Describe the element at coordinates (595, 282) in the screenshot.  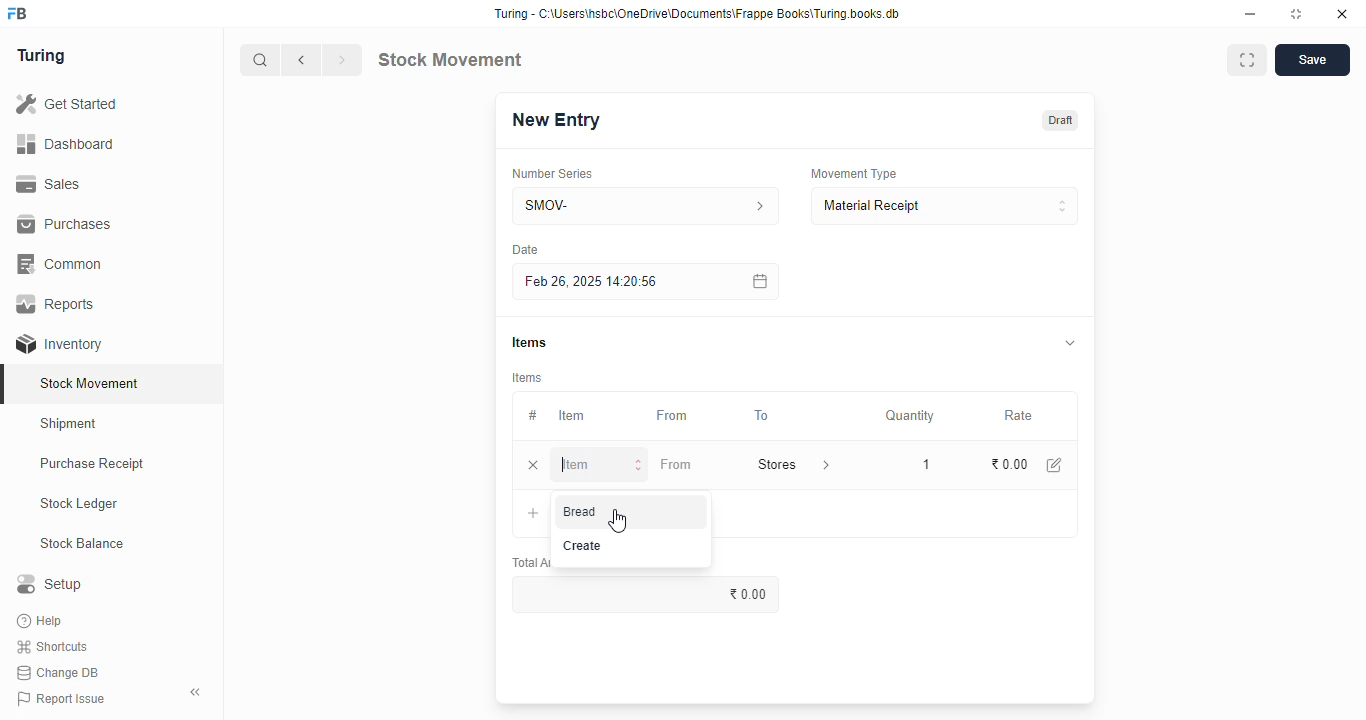
I see `feb 26, 2025 14:20:56` at that location.